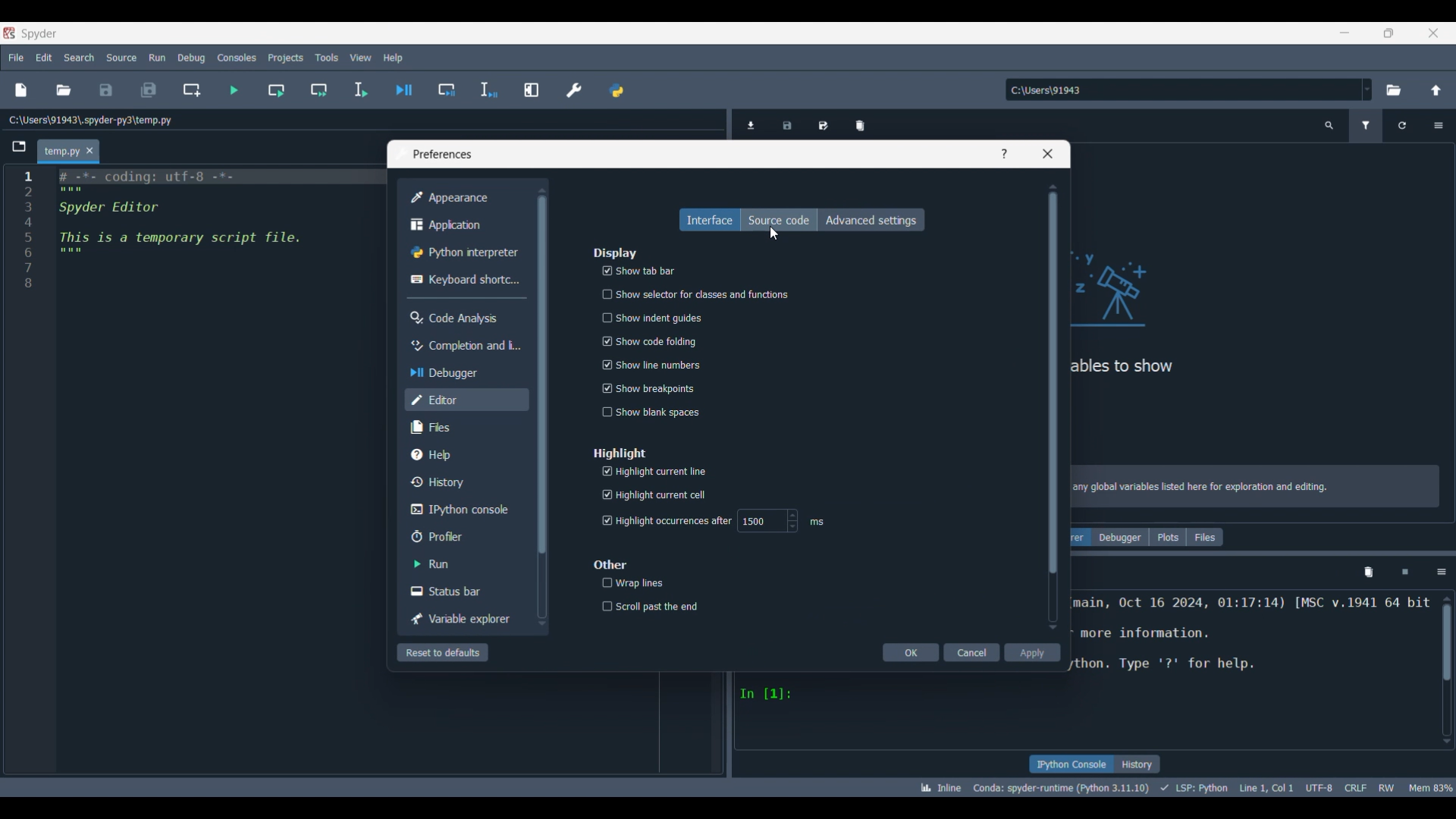 Image resolution: width=1456 pixels, height=819 pixels. Describe the element at coordinates (443, 652) in the screenshot. I see `Reset to defaults` at that location.